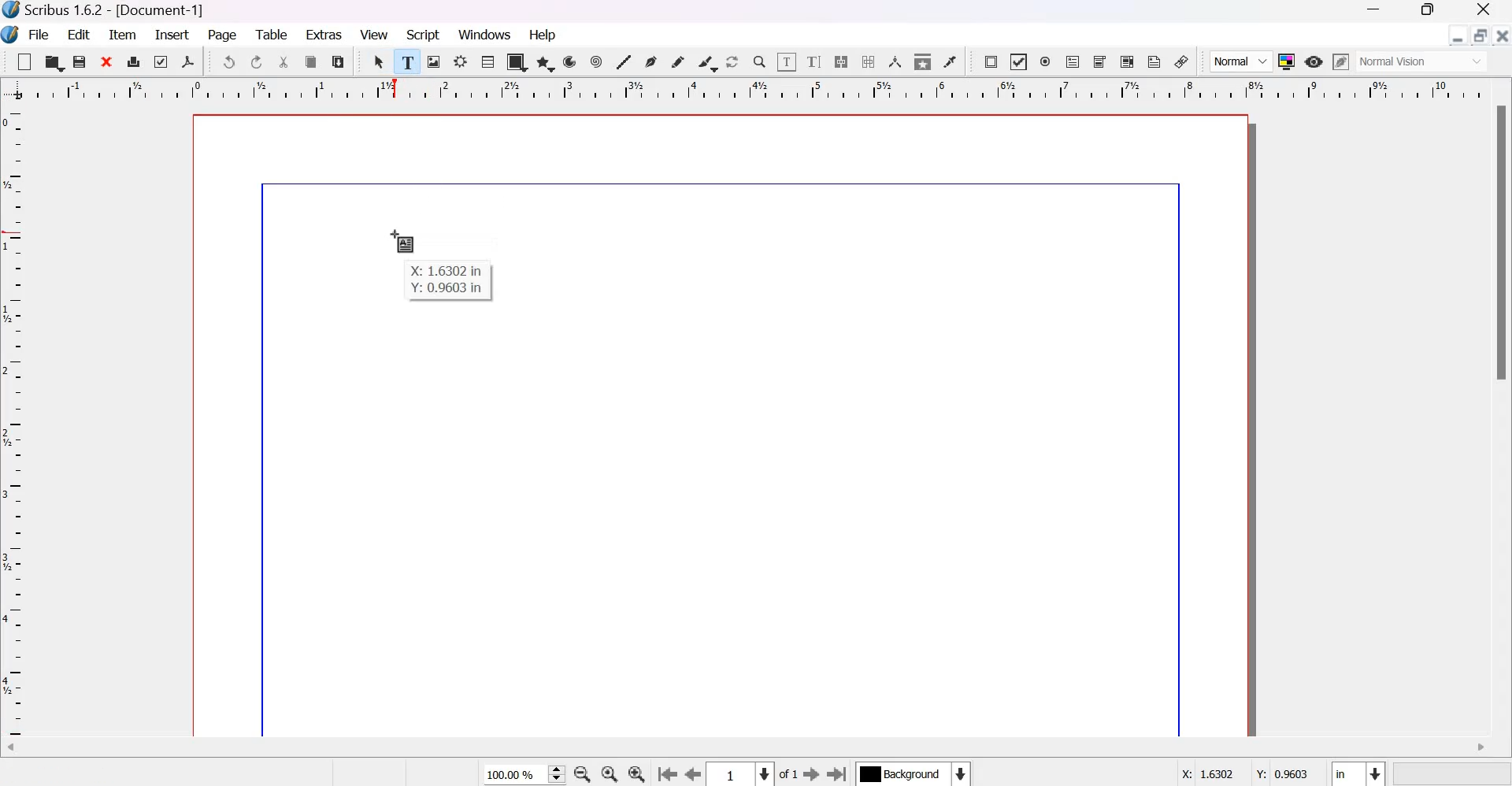 Image resolution: width=1512 pixels, height=786 pixels. Describe the element at coordinates (1241, 61) in the screenshot. I see `Normal` at that location.